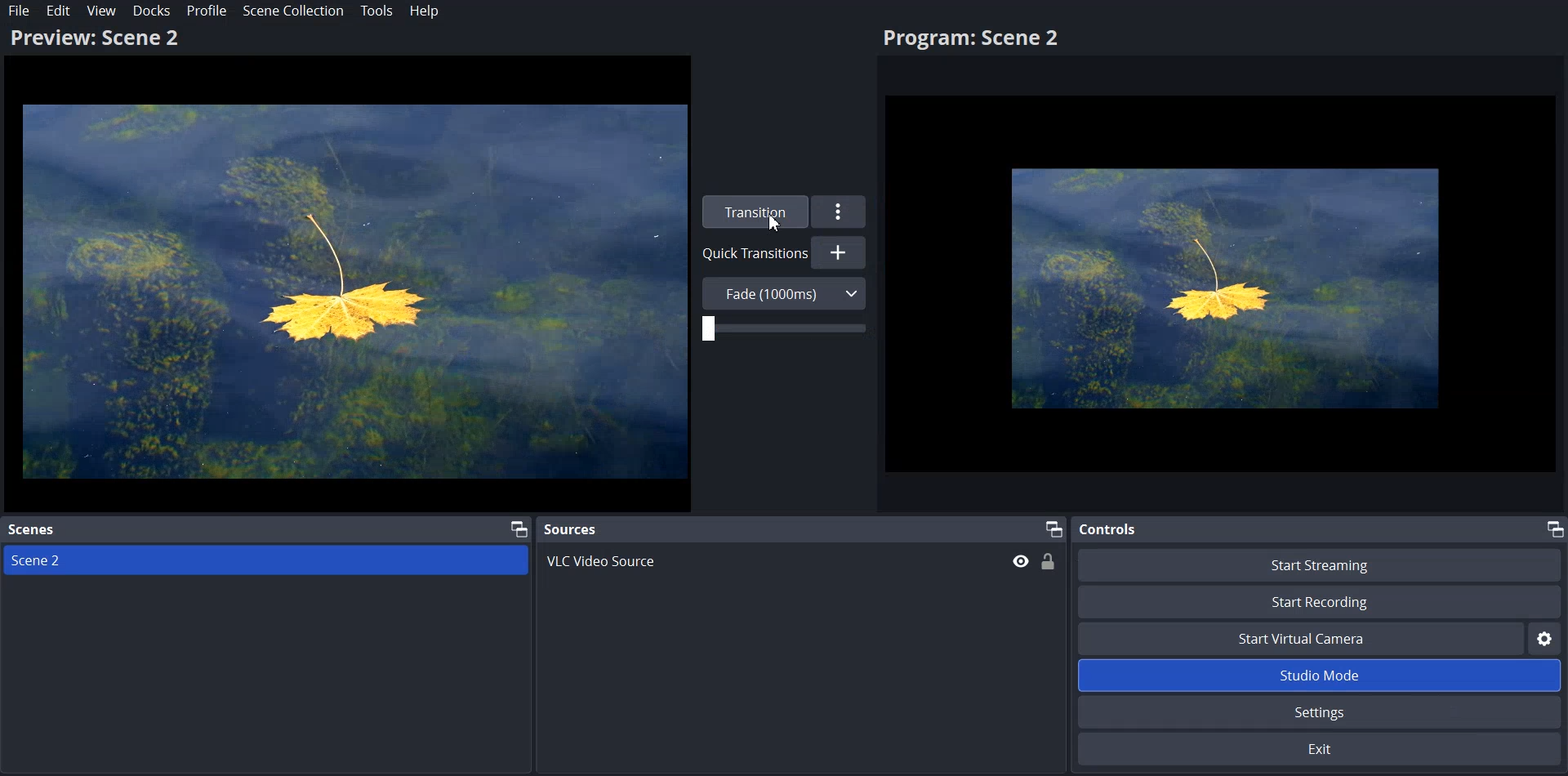 This screenshot has width=1568, height=776. Describe the element at coordinates (1319, 564) in the screenshot. I see `Start Streaming` at that location.